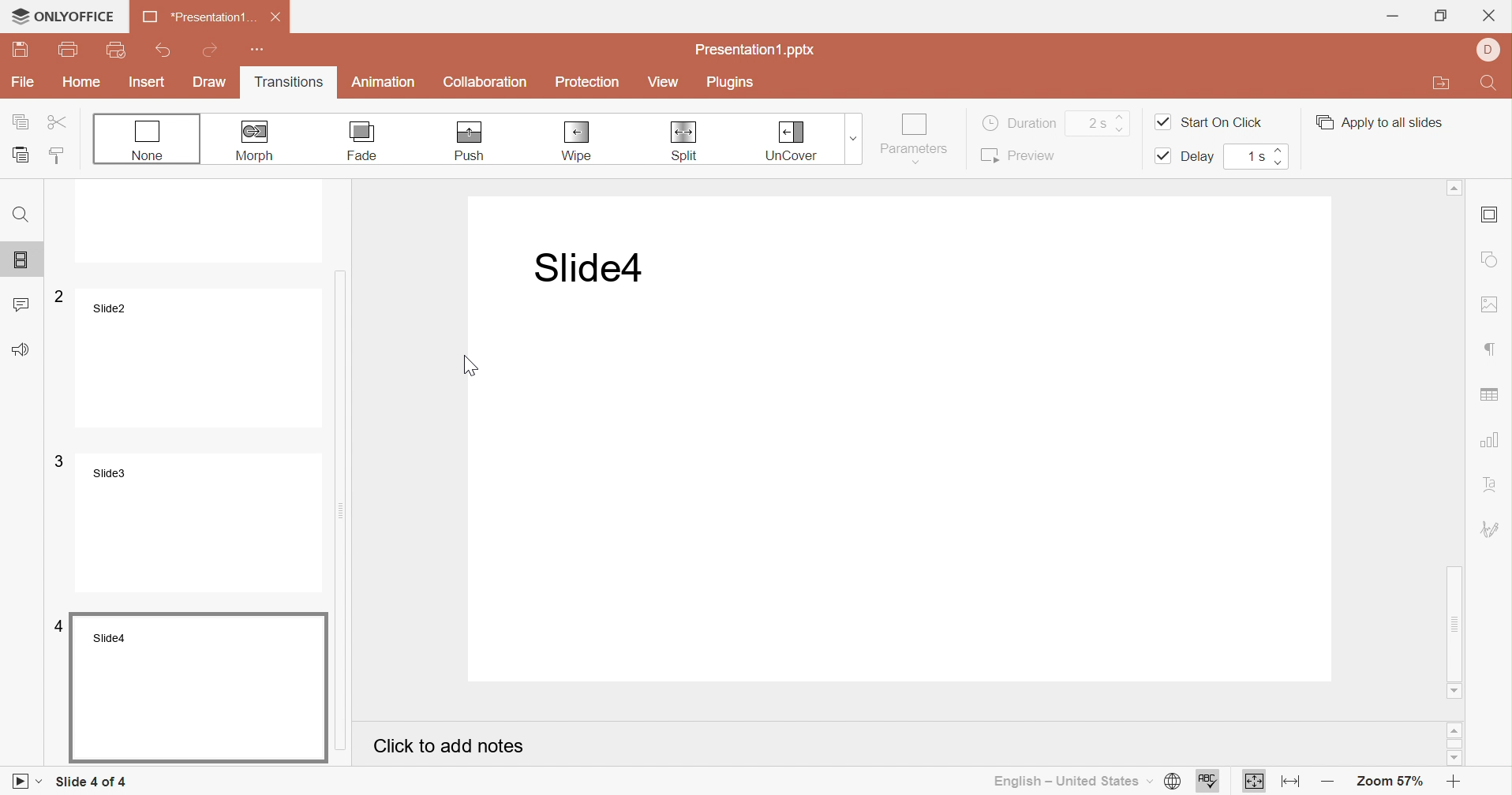 The image size is (1512, 795). Describe the element at coordinates (1253, 781) in the screenshot. I see `Fit to slide` at that location.